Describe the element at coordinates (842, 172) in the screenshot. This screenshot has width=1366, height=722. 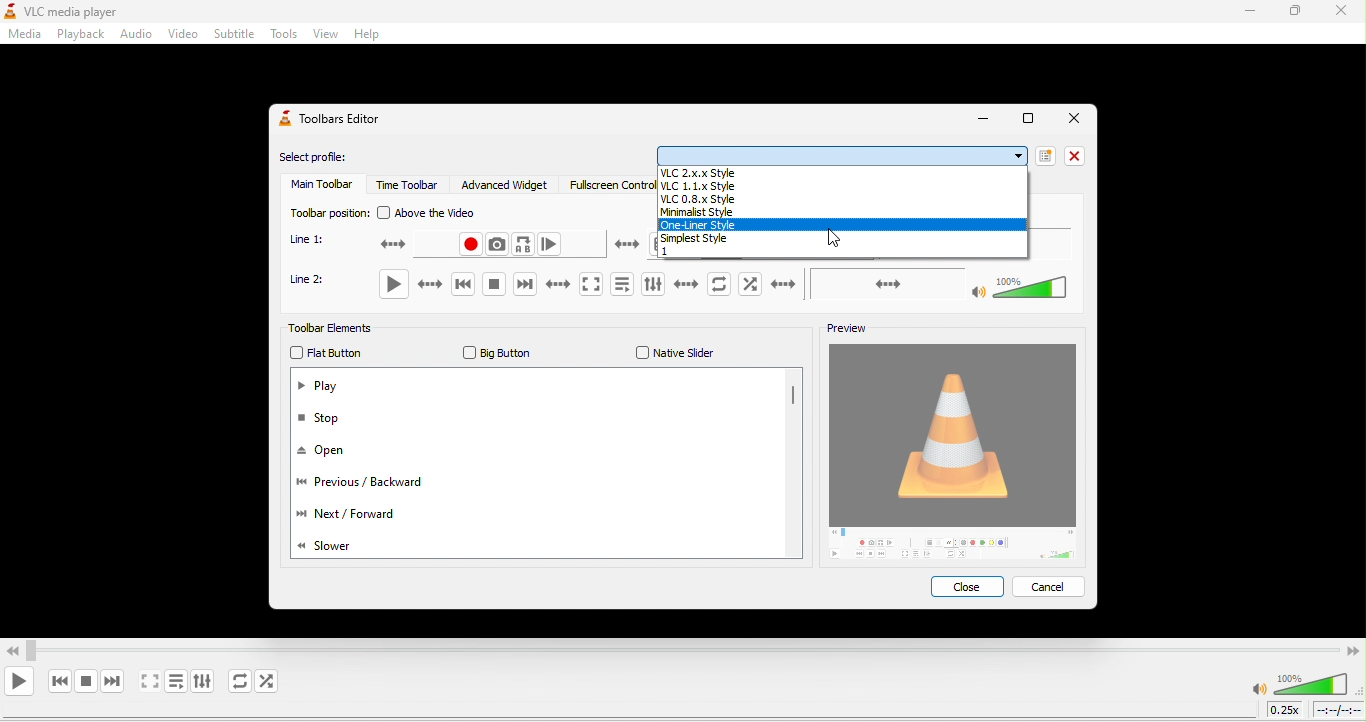
I see `vlc2.x.xstyle` at that location.